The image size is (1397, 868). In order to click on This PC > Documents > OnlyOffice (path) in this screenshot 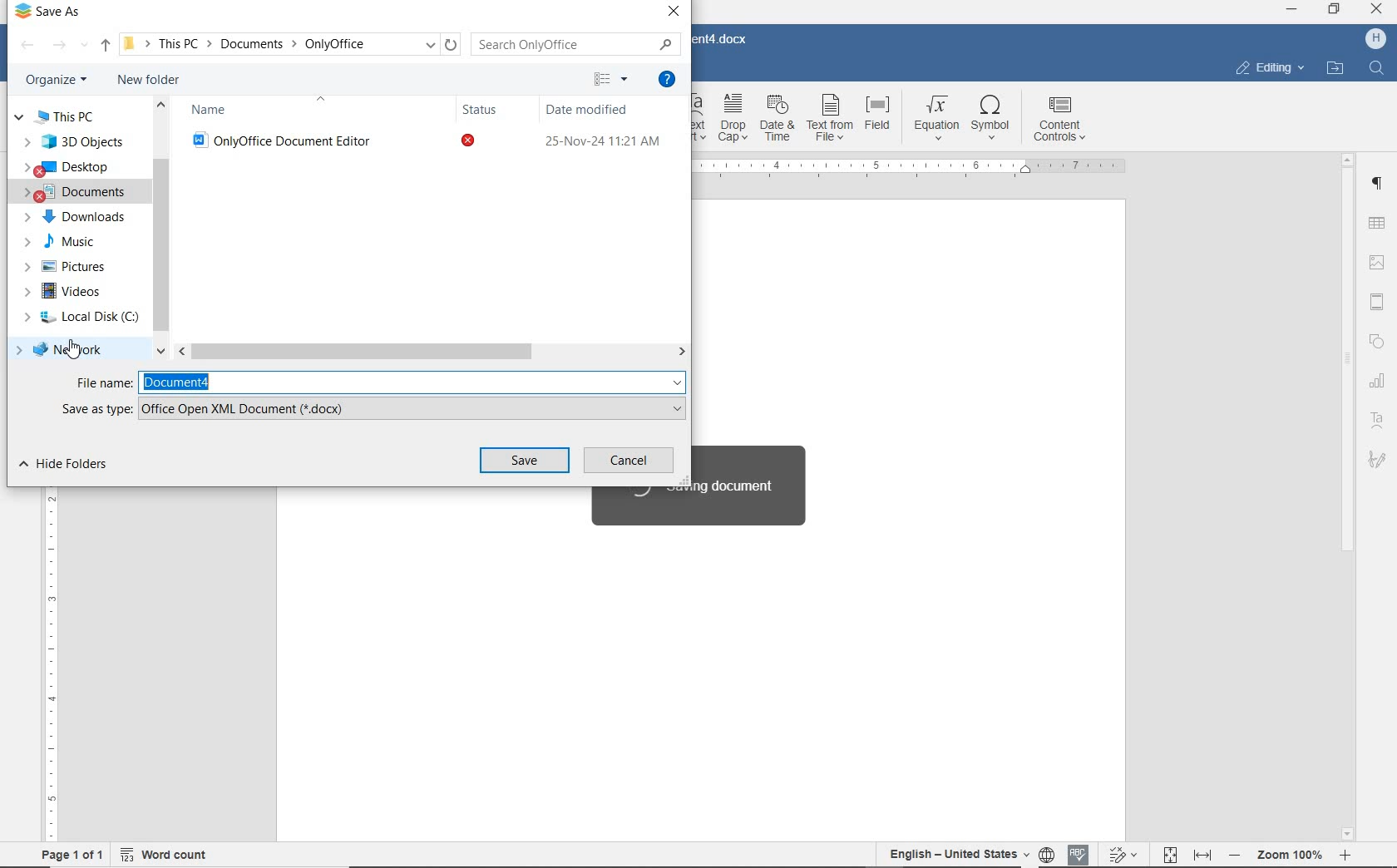, I will do `click(280, 47)`.